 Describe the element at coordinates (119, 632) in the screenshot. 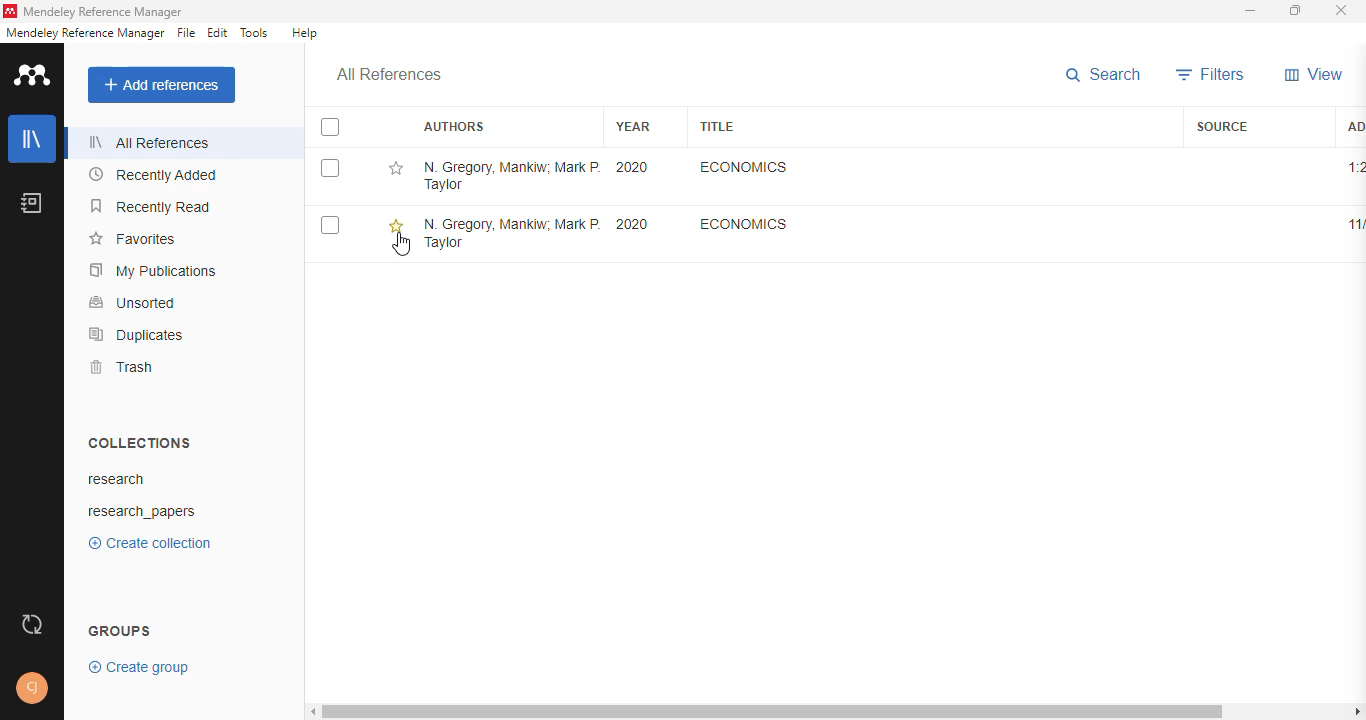

I see `groups` at that location.